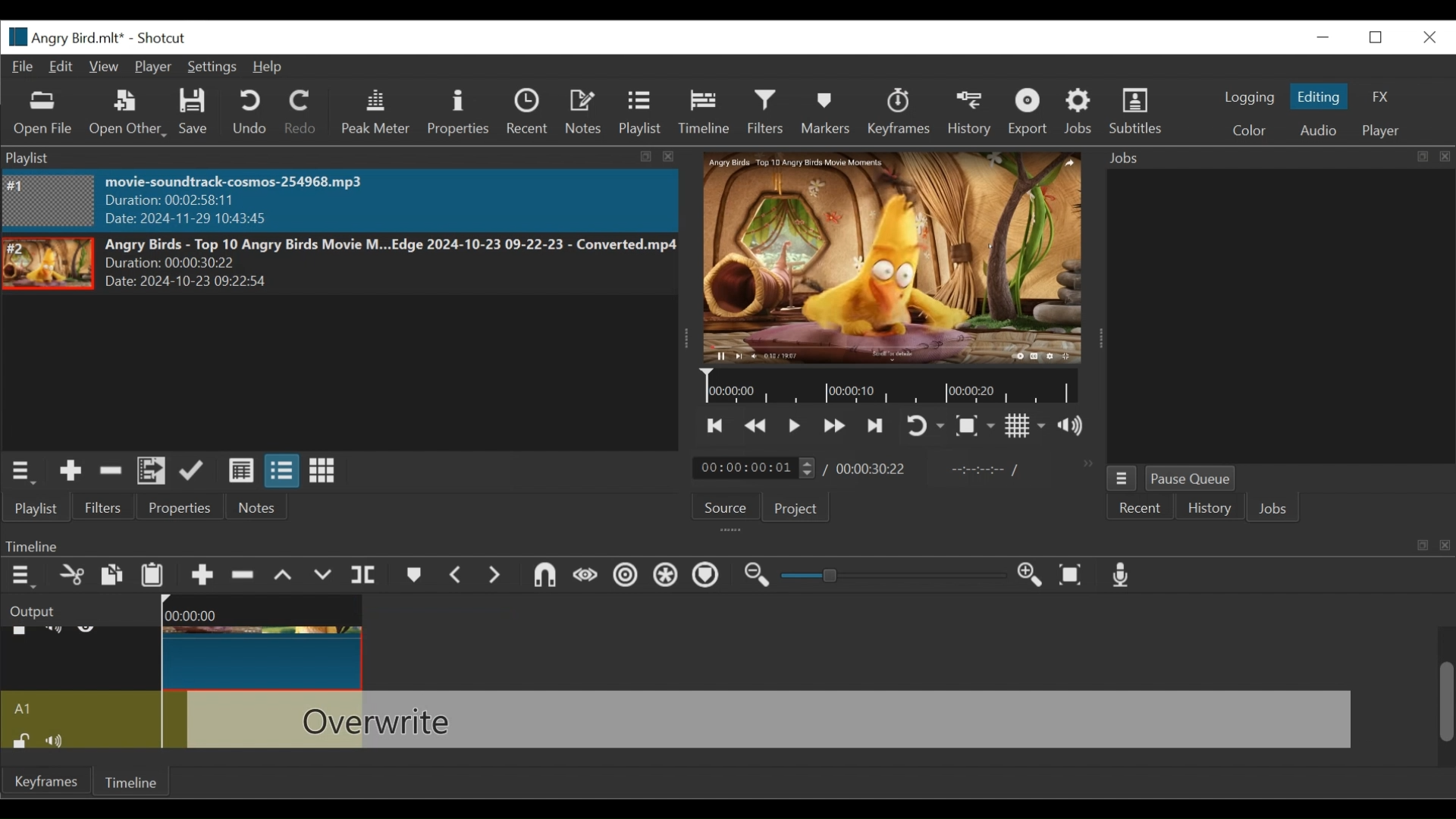 The width and height of the screenshot is (1456, 819). I want to click on Recent, so click(1136, 510).